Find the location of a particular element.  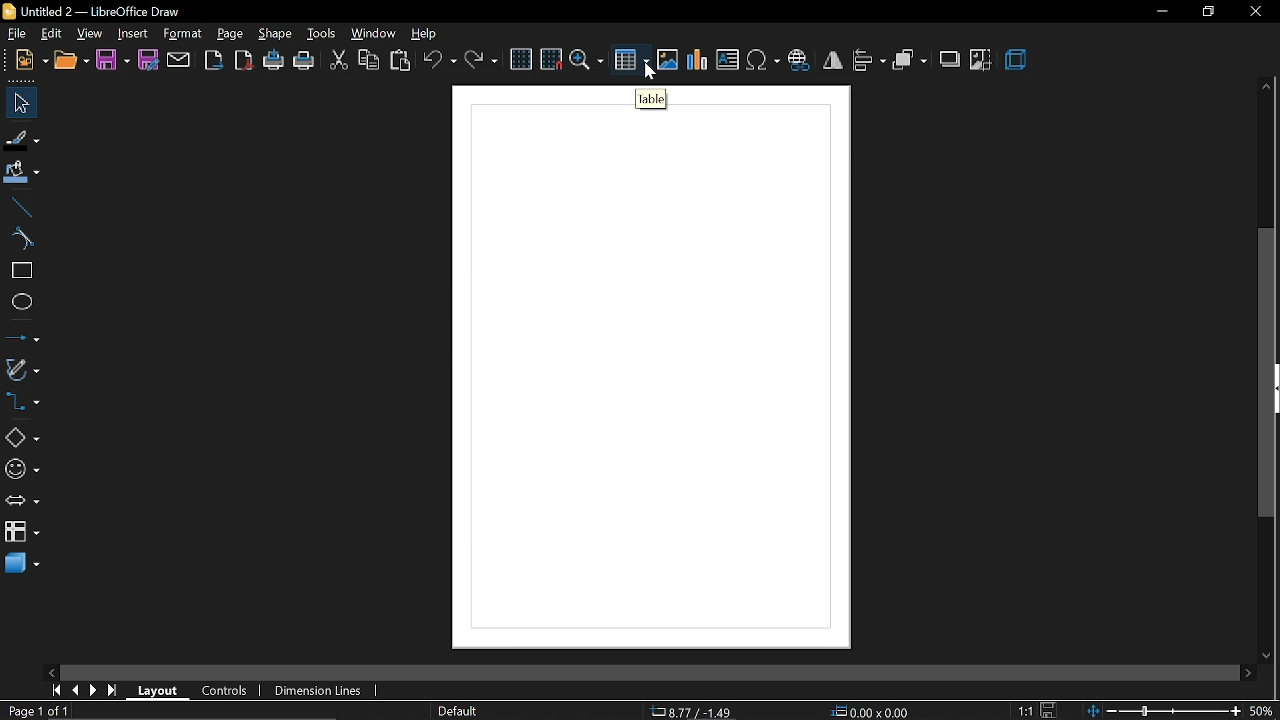

export is located at coordinates (214, 61).